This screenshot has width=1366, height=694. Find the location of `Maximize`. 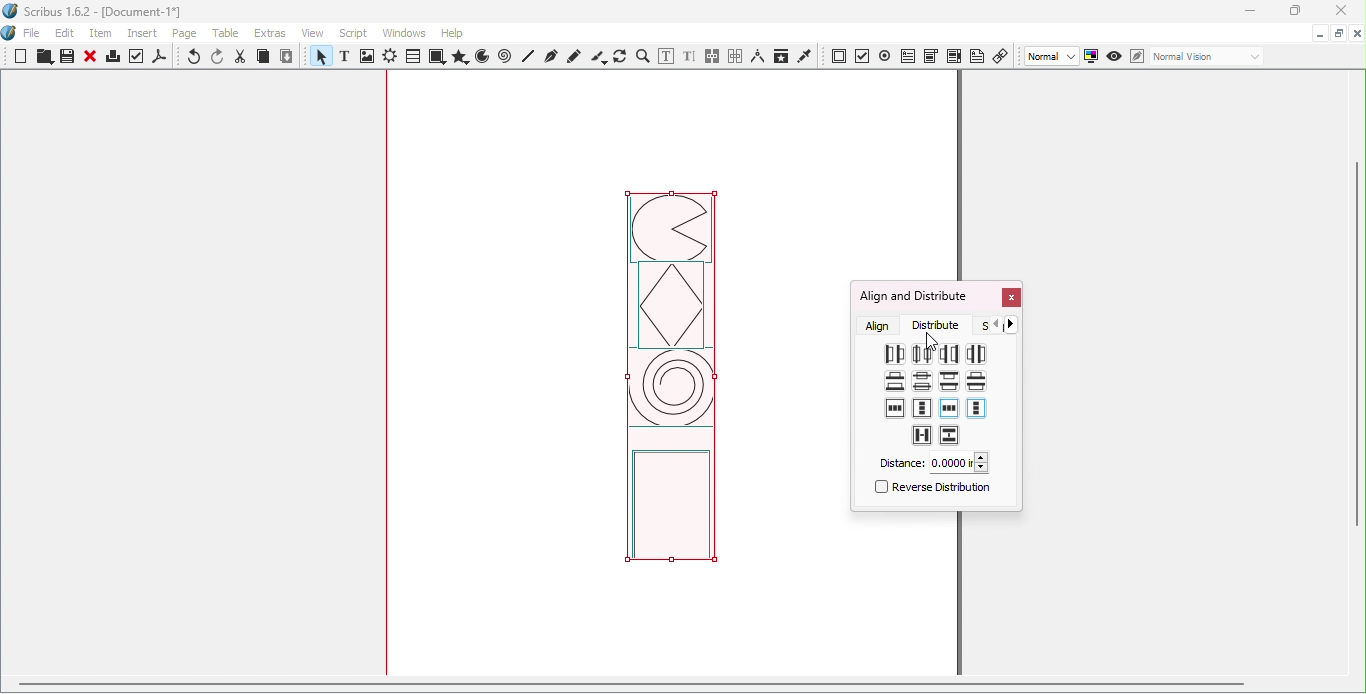

Maximize is located at coordinates (1338, 32).